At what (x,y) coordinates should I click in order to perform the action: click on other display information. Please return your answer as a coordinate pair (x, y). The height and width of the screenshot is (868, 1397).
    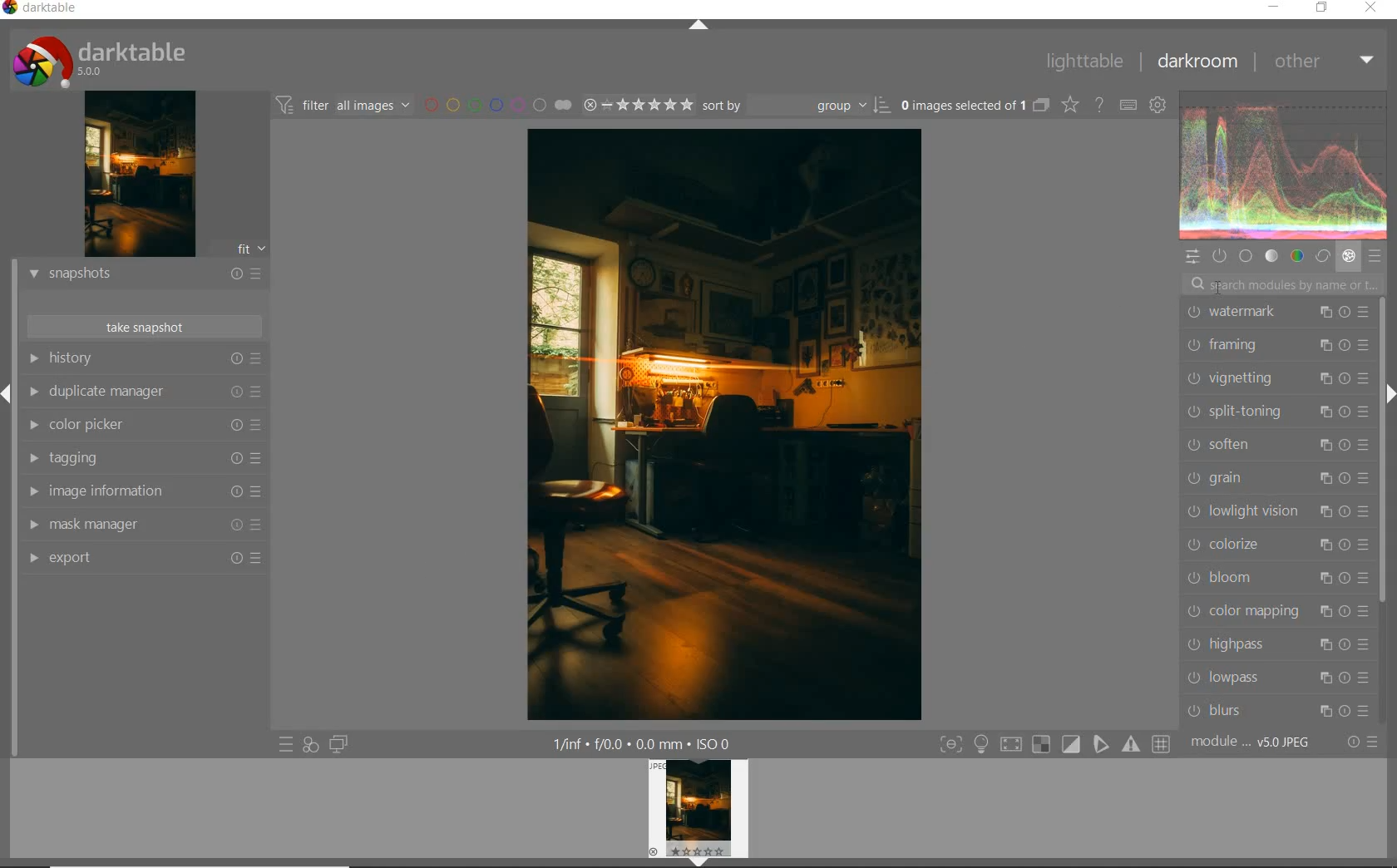
    Looking at the image, I should click on (643, 742).